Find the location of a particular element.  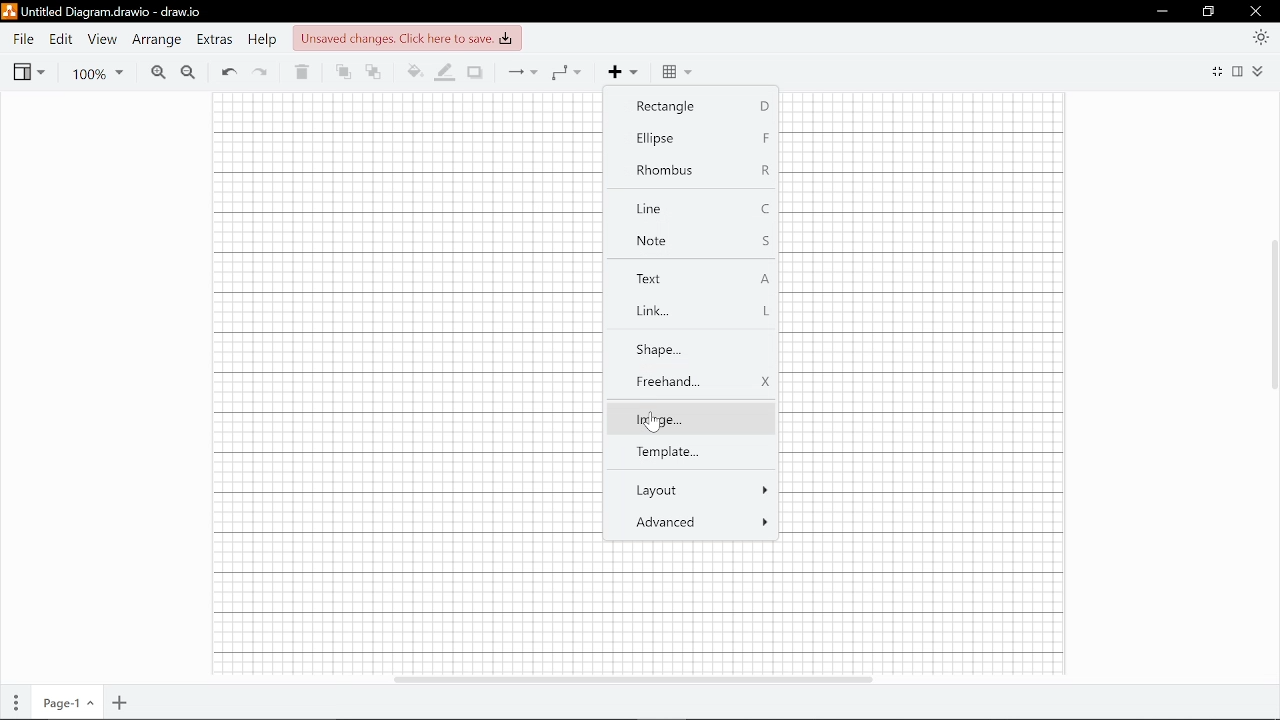

Extras is located at coordinates (214, 42).